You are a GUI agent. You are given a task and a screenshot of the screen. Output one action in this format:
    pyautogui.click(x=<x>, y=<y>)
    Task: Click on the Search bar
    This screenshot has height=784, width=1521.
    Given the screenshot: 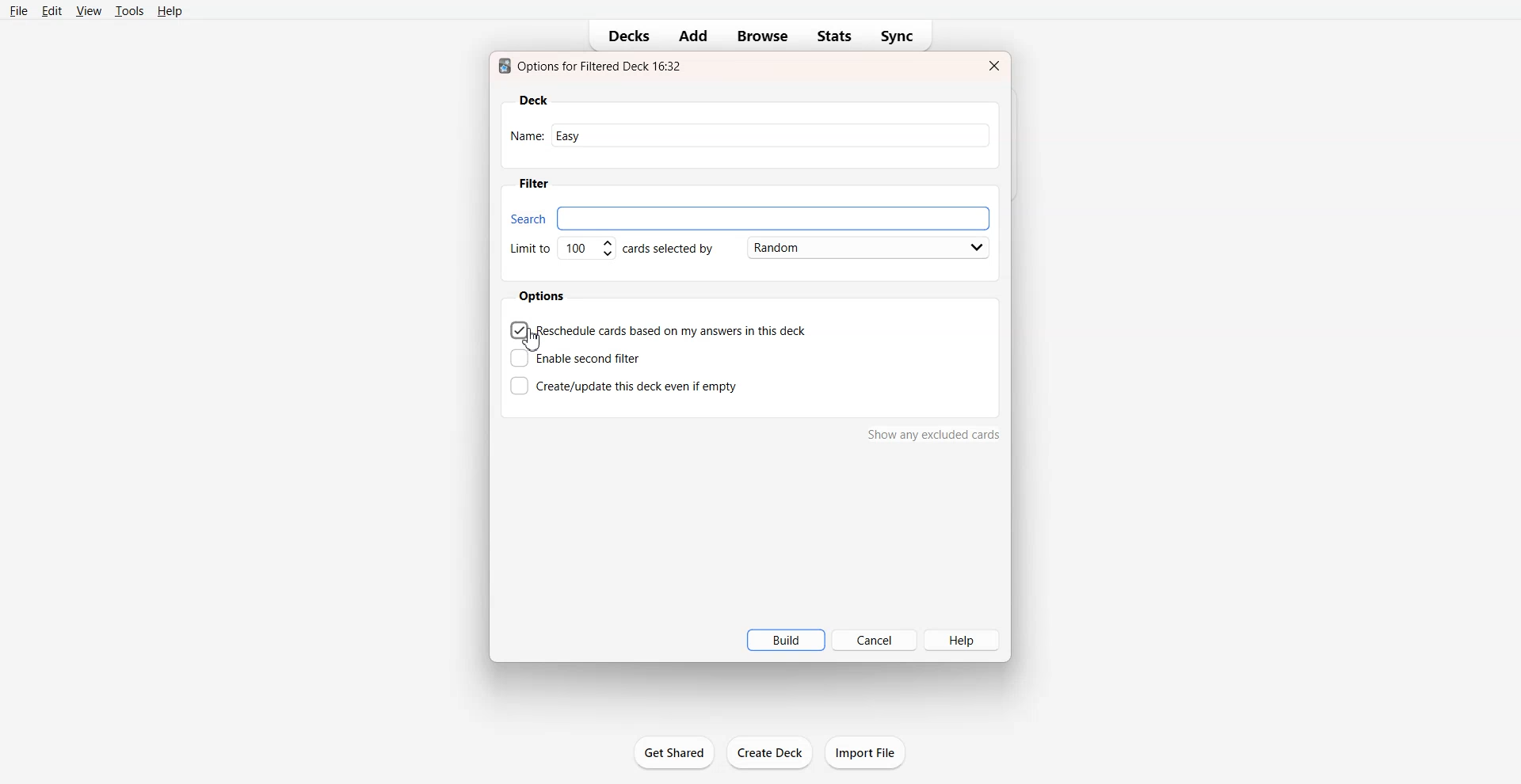 What is the action you would take?
    pyautogui.click(x=749, y=218)
    